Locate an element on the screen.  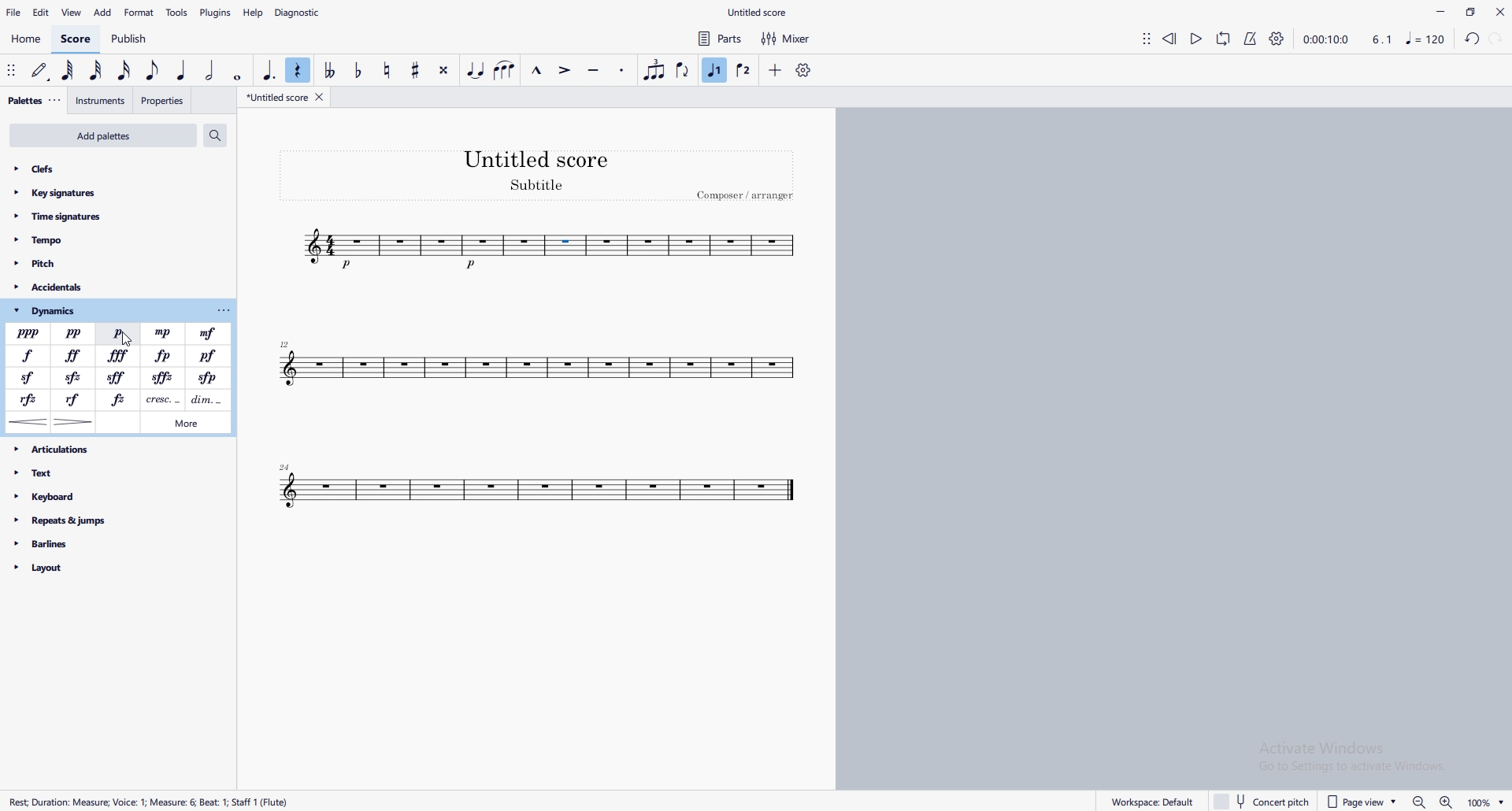
diagnostic is located at coordinates (300, 13).